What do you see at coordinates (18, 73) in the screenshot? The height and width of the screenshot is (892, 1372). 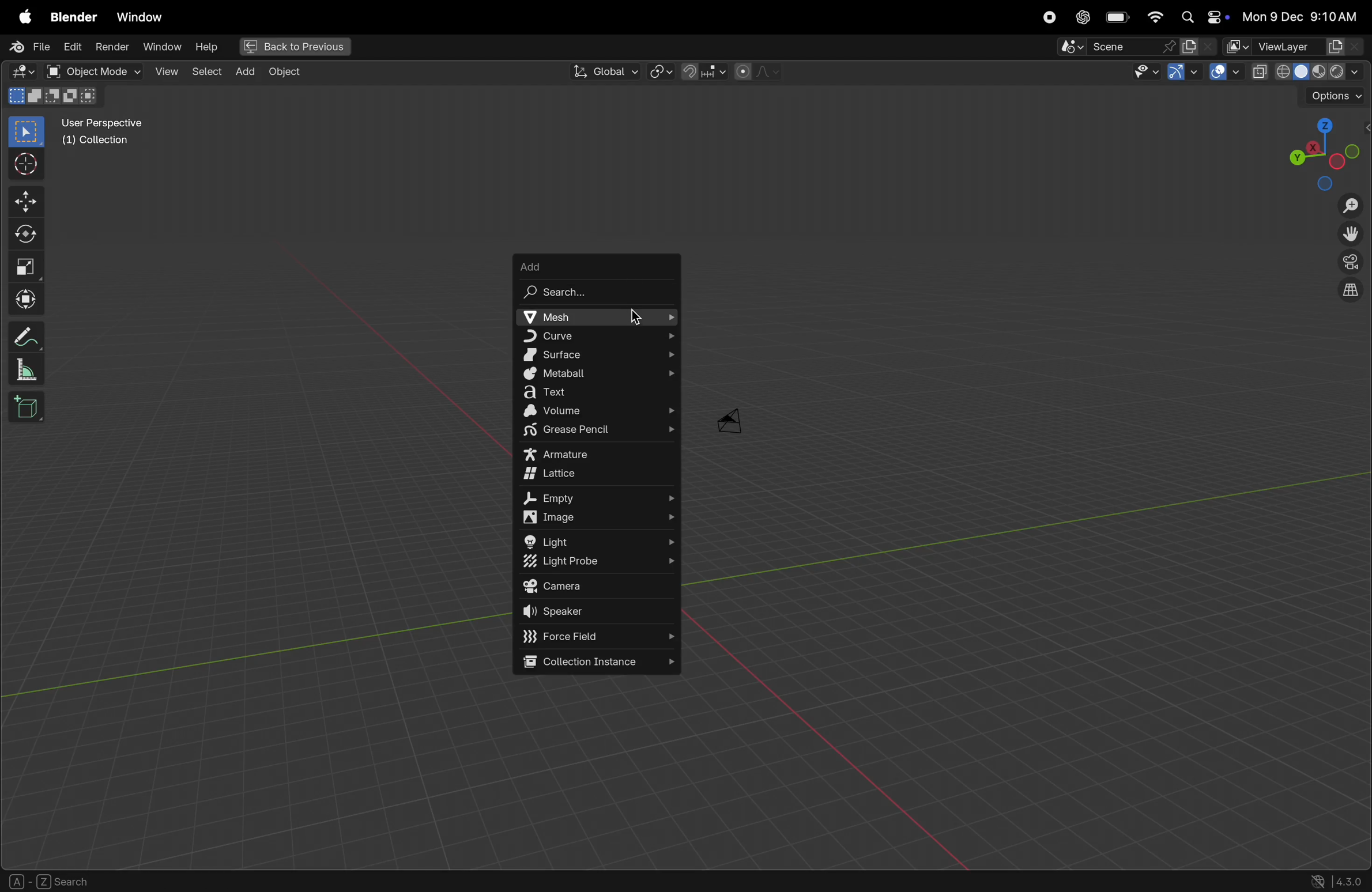 I see `editor type` at bounding box center [18, 73].